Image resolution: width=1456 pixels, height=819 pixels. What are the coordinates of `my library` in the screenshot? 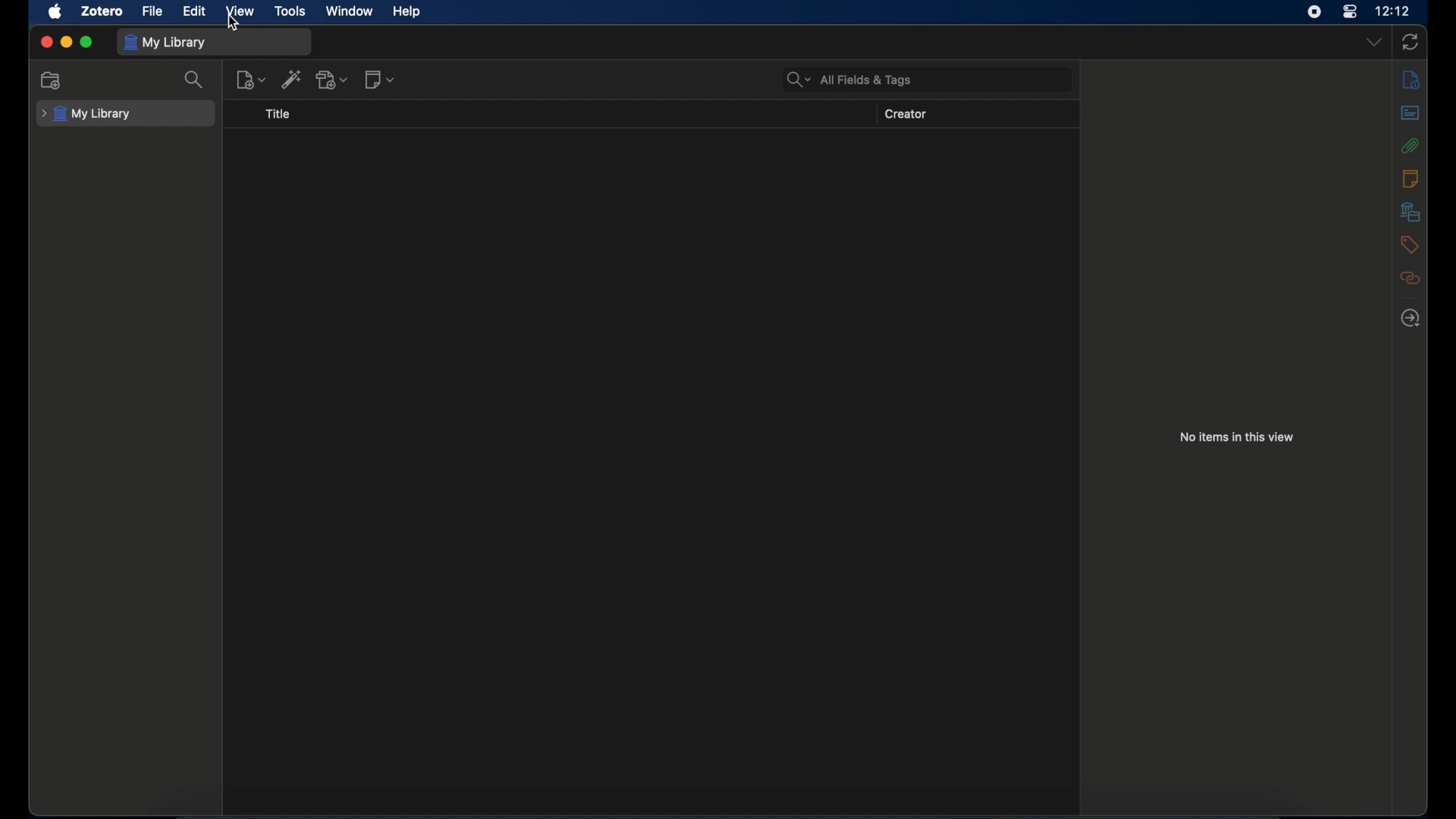 It's located at (167, 42).